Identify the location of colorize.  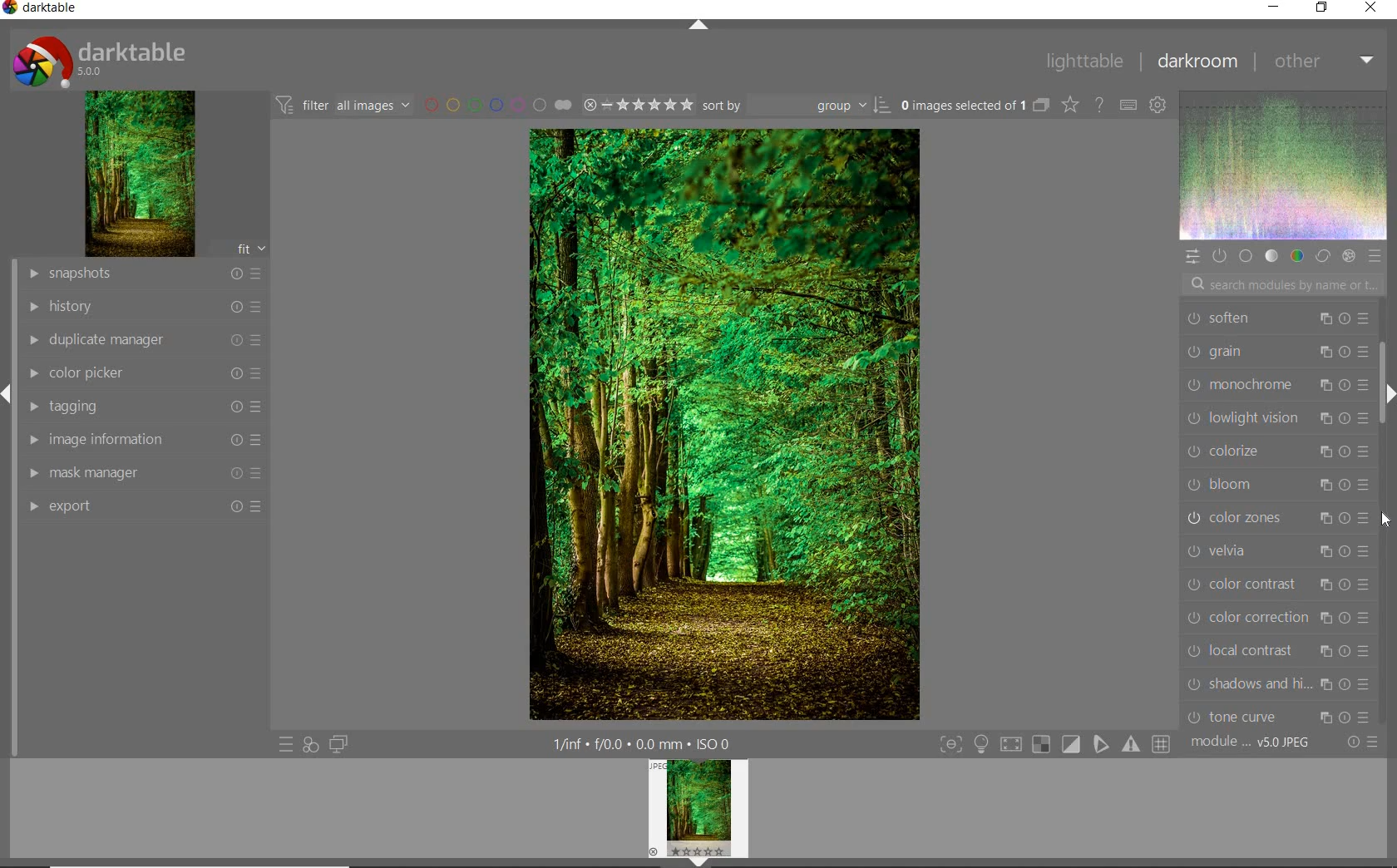
(1278, 449).